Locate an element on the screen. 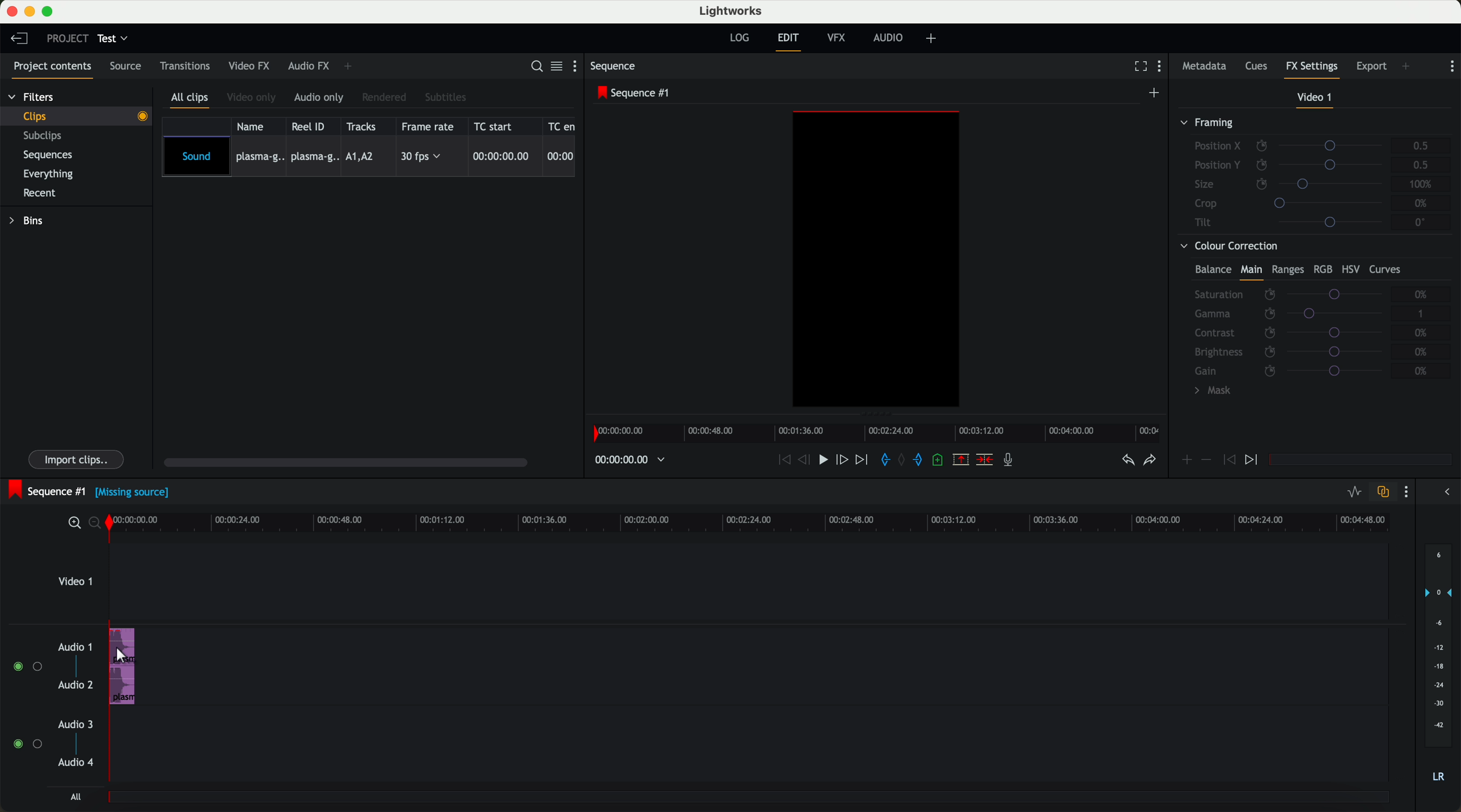 The width and height of the screenshot is (1461, 812). move foward is located at coordinates (863, 460).